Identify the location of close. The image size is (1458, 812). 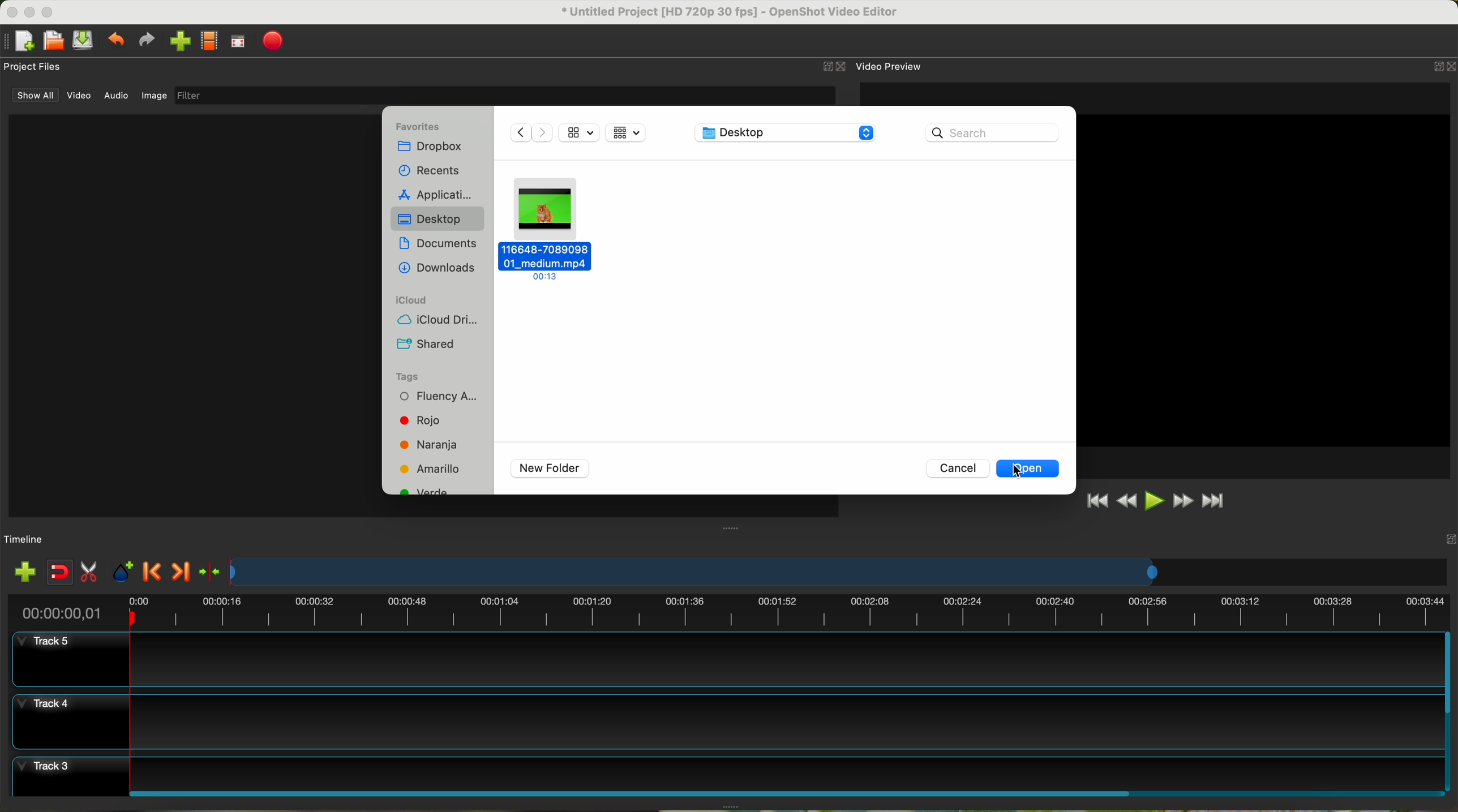
(835, 67).